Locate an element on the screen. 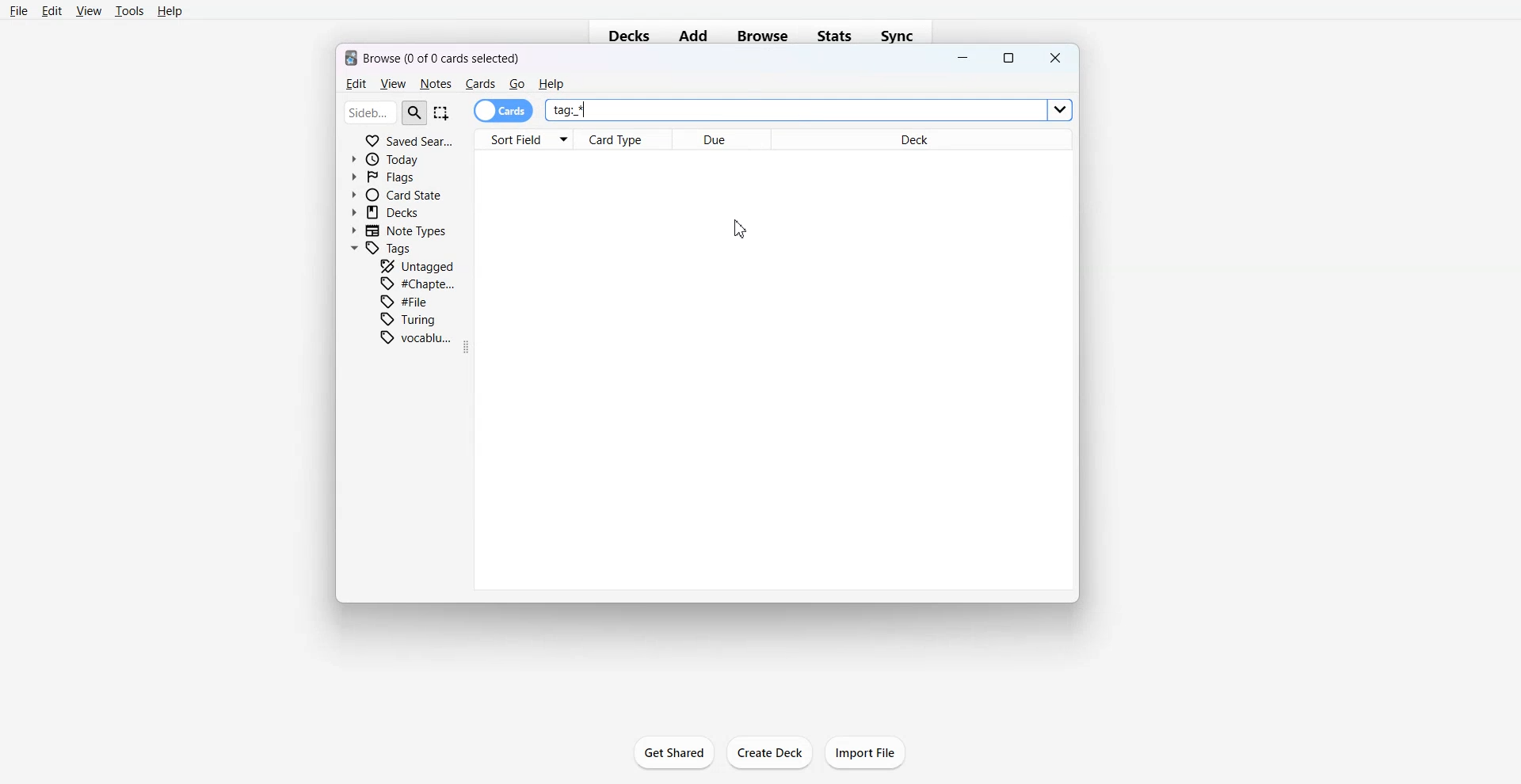 The height and width of the screenshot is (784, 1521). Due is located at coordinates (722, 139).